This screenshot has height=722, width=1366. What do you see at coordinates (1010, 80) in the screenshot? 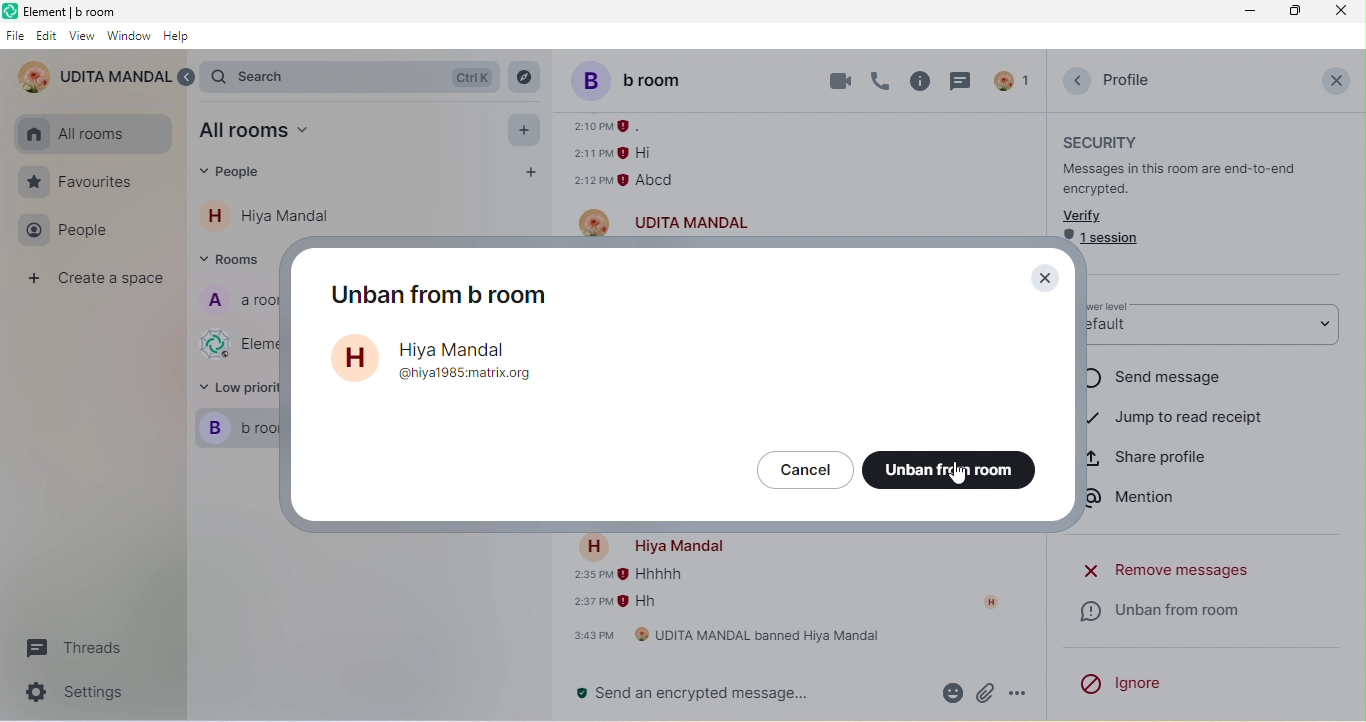
I see `account` at bounding box center [1010, 80].